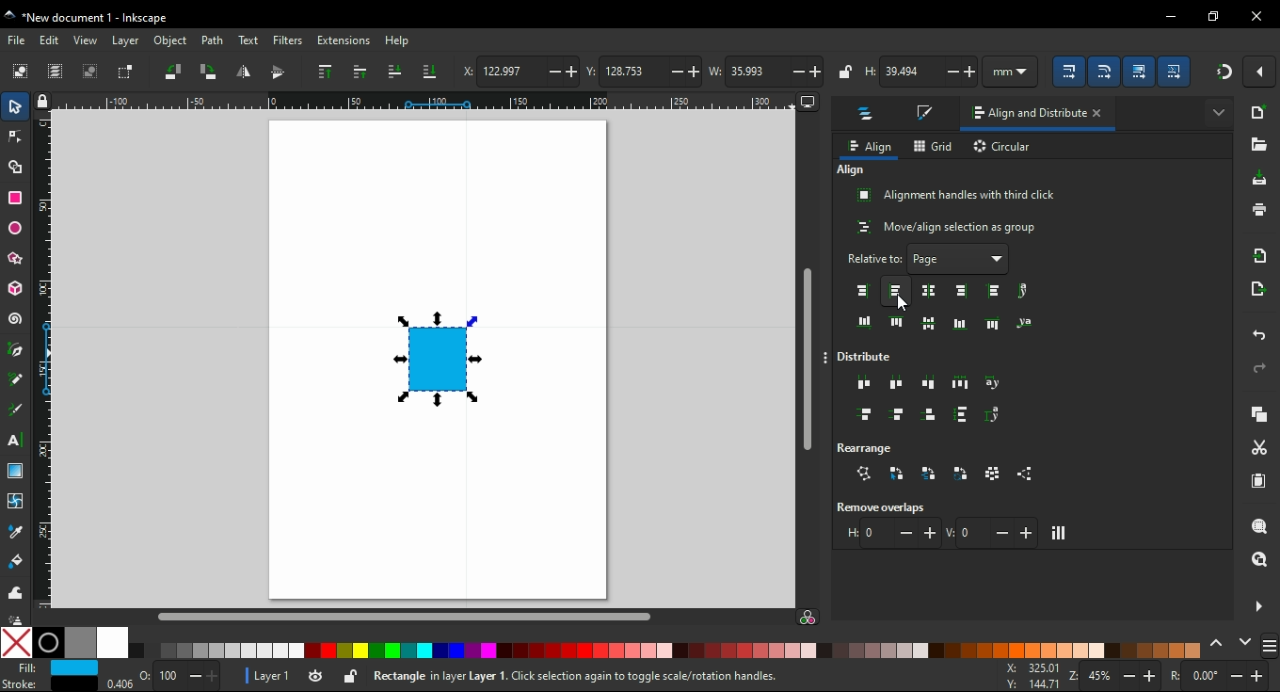  Describe the element at coordinates (17, 592) in the screenshot. I see `tweak tool` at that location.